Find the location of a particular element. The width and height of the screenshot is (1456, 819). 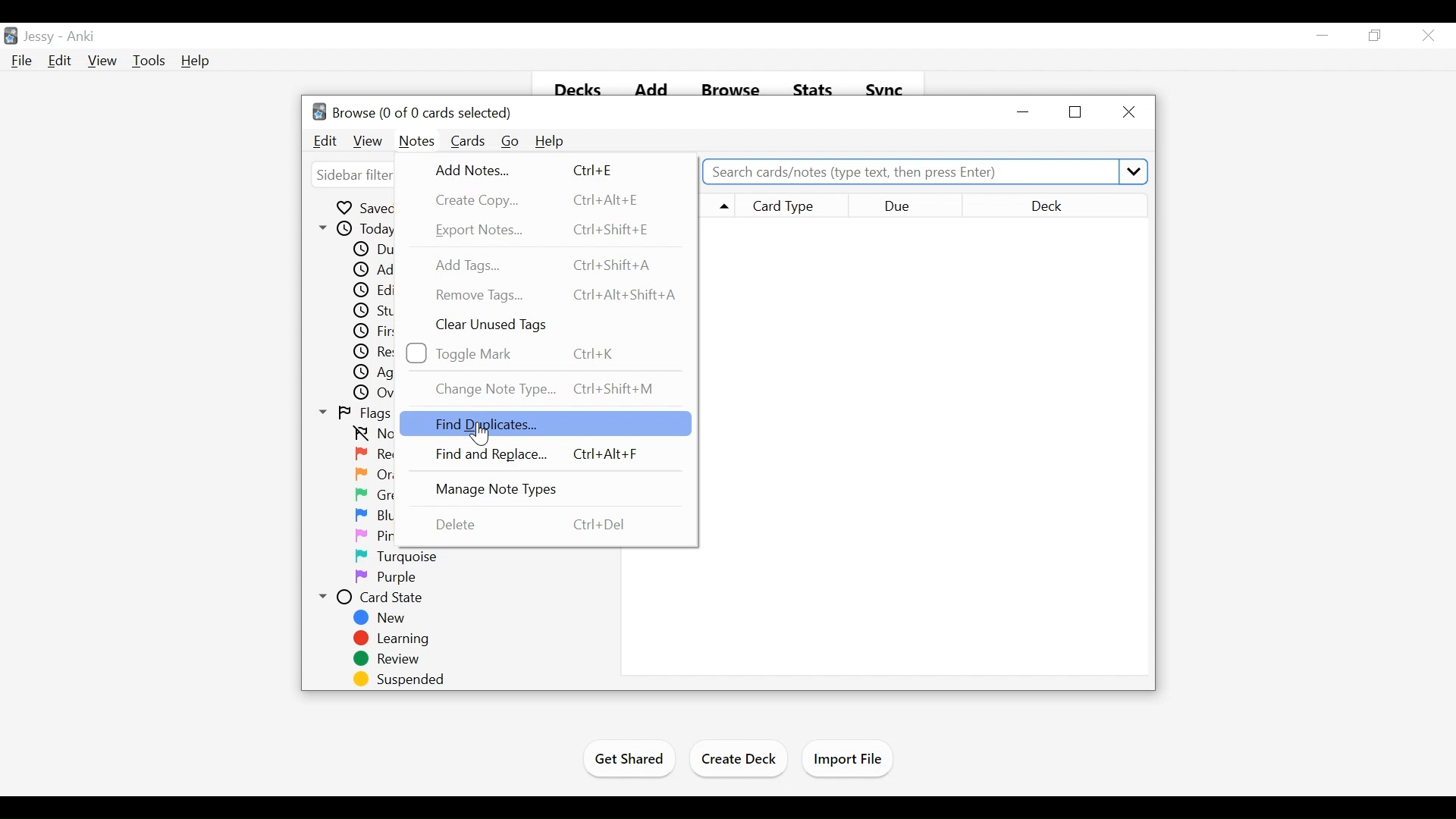

View is located at coordinates (102, 61).